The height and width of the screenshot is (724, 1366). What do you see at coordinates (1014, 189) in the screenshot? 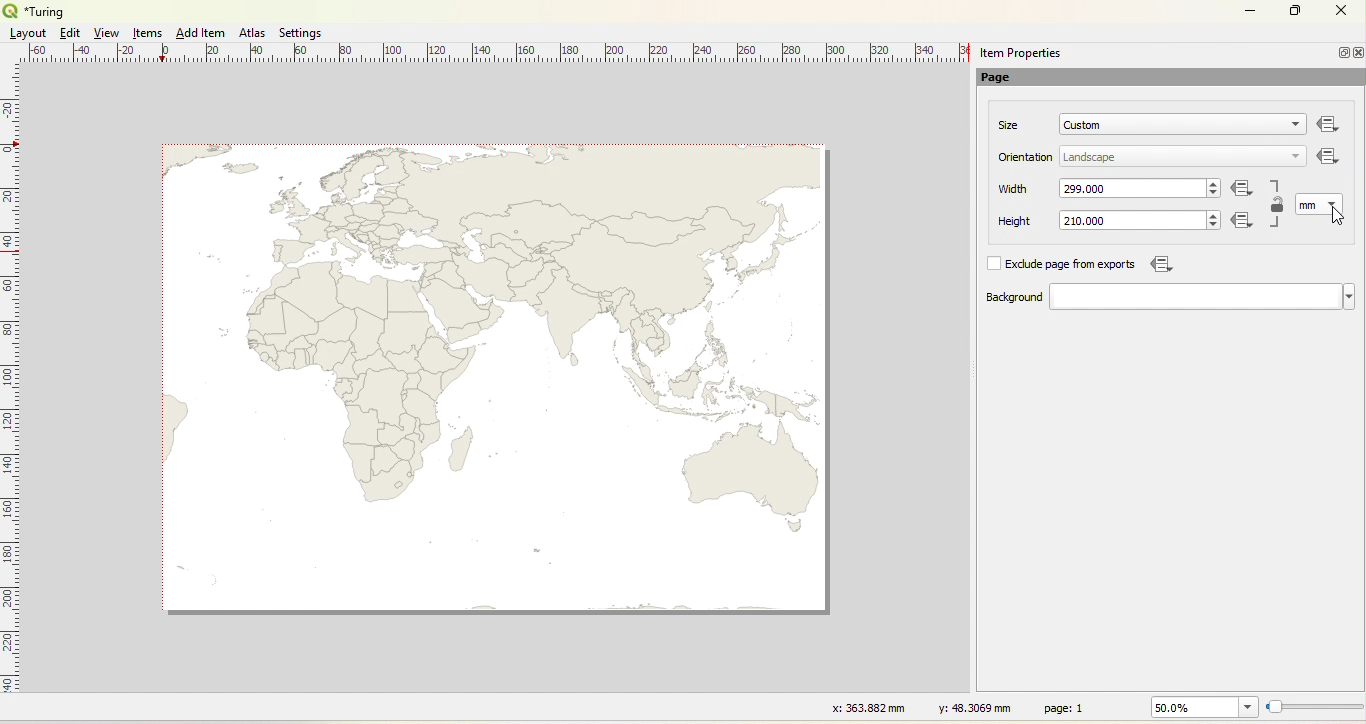
I see `Width` at bounding box center [1014, 189].